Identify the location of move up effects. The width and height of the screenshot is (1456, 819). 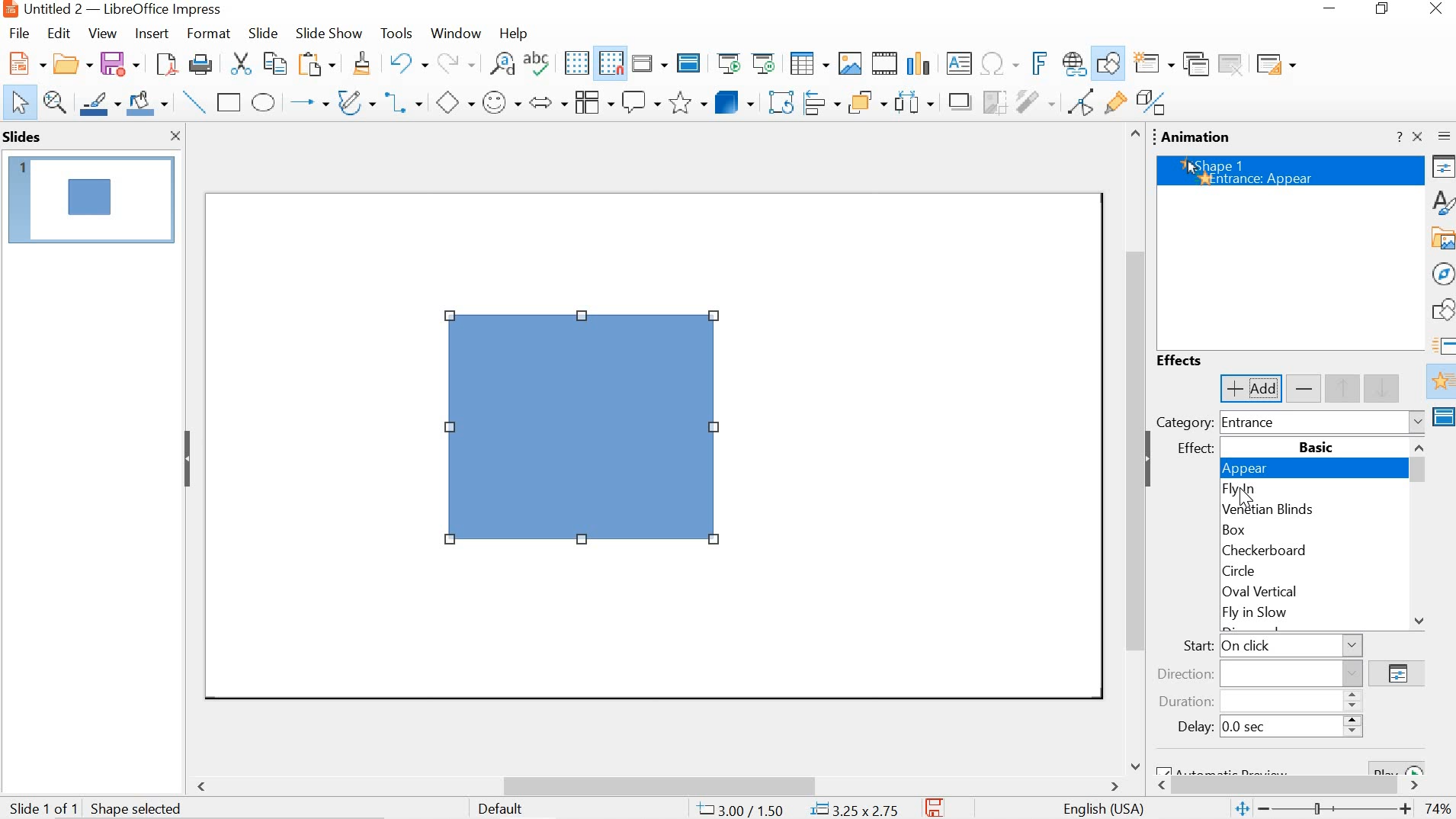
(1367, 388).